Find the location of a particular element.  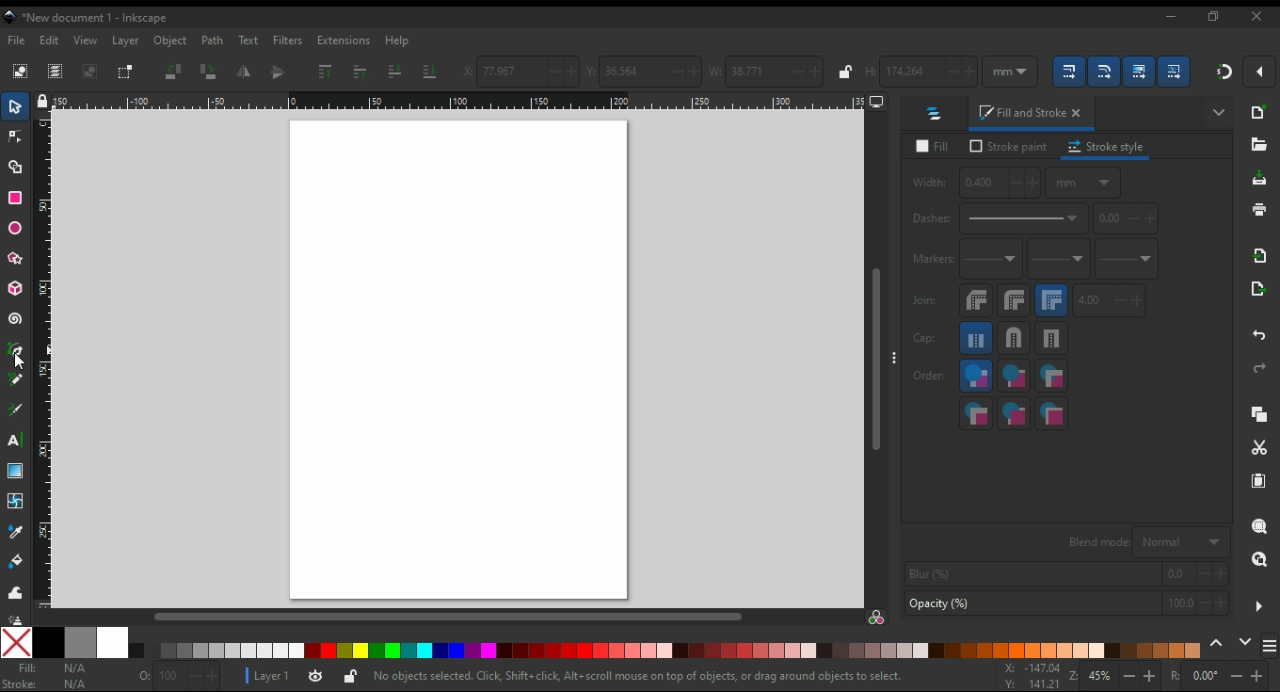

color palettes is located at coordinates (1270, 644).